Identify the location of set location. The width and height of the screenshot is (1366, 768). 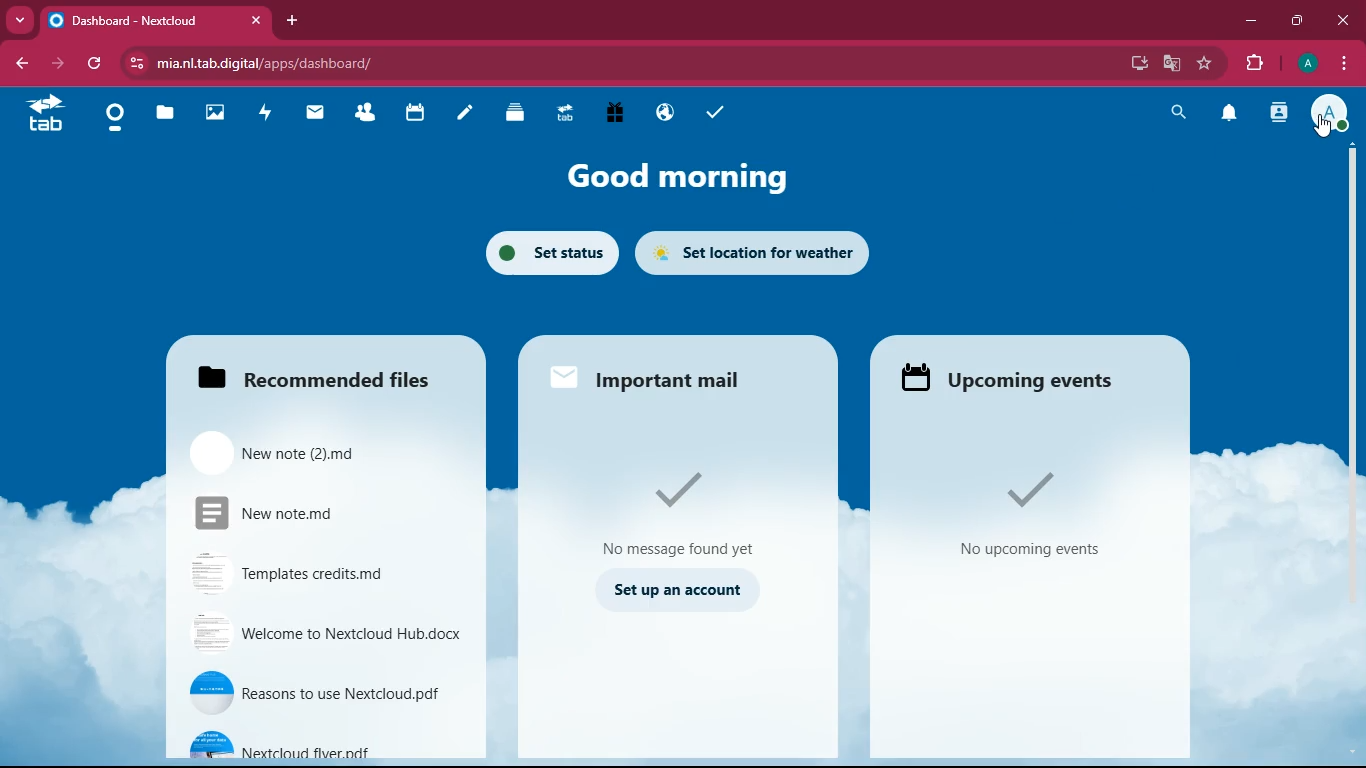
(767, 253).